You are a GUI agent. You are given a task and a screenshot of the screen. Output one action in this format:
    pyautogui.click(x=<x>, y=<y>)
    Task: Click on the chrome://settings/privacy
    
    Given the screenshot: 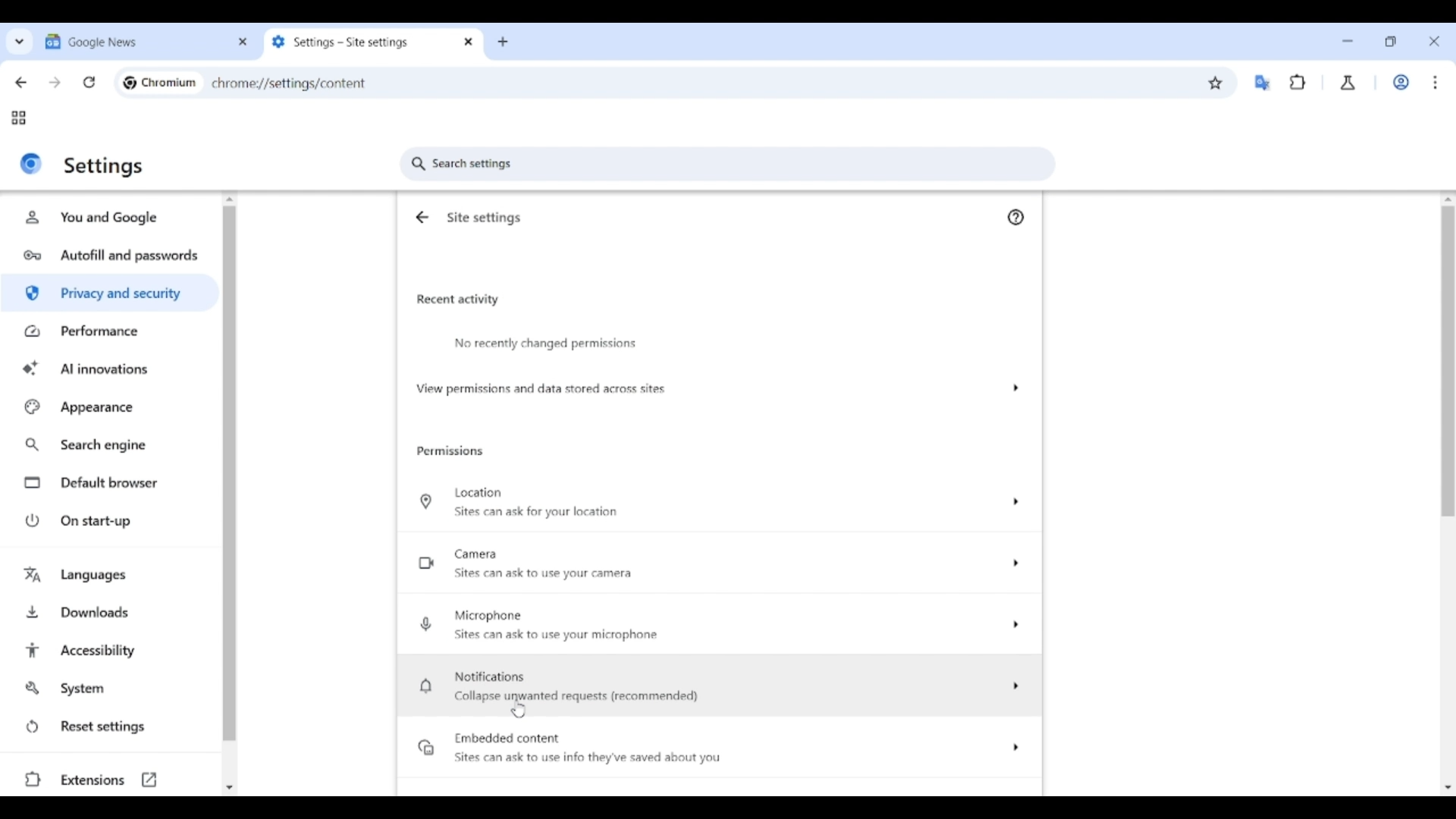 What is the action you would take?
    pyautogui.click(x=287, y=83)
    